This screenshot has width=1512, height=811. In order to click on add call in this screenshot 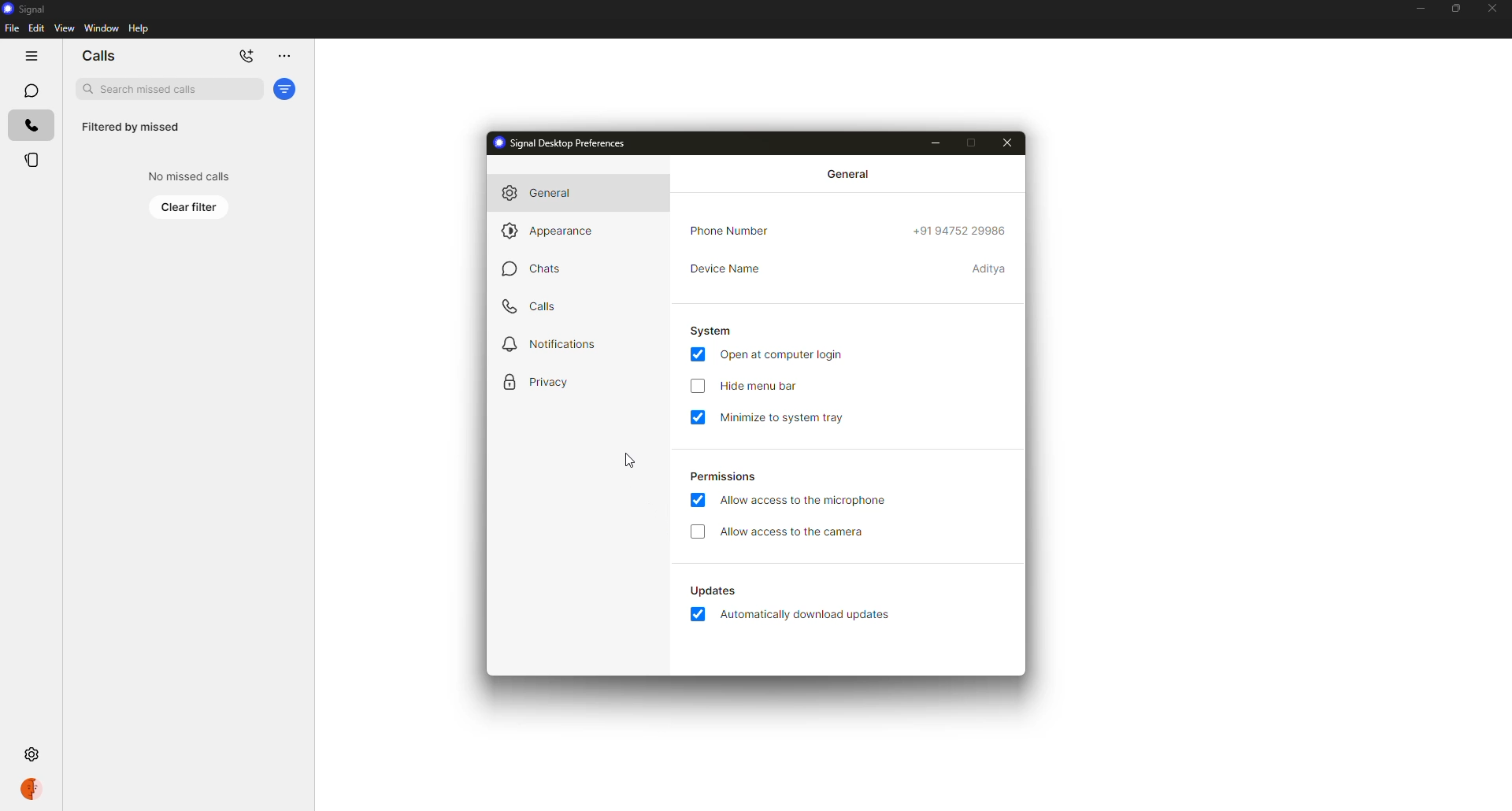, I will do `click(246, 56)`.